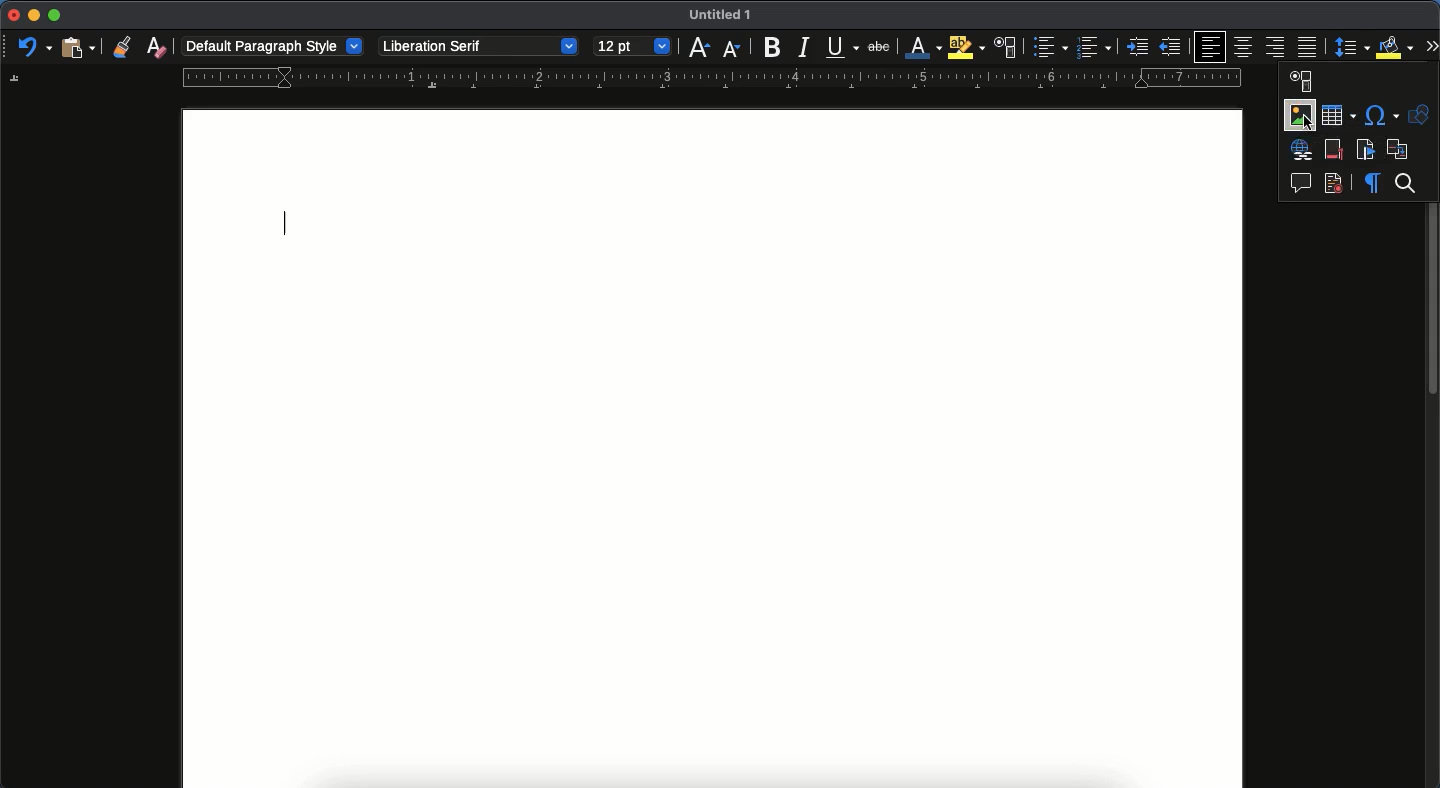  I want to click on formatting marks, so click(1372, 184).